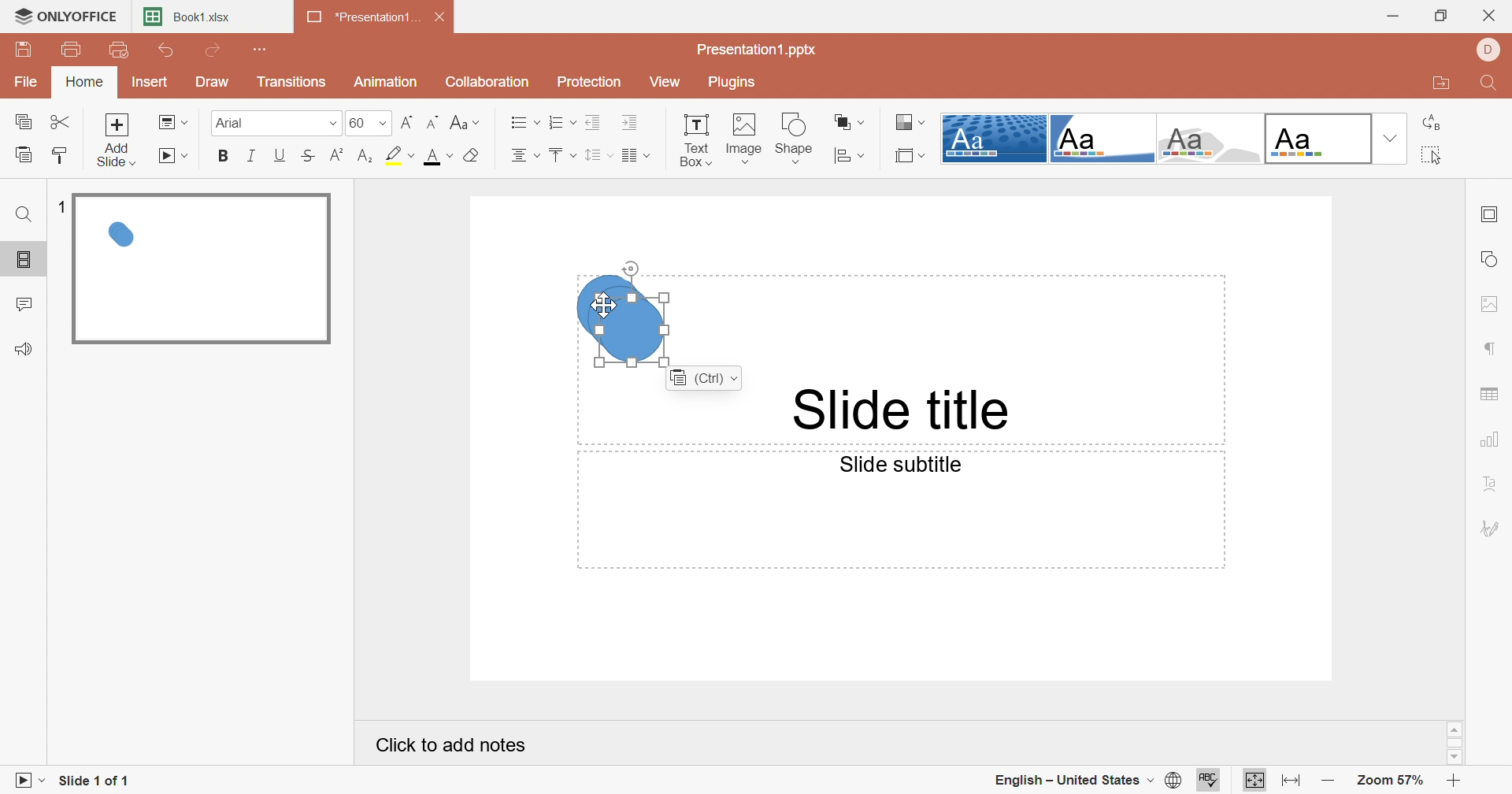 This screenshot has width=1512, height=794. Describe the element at coordinates (340, 155) in the screenshot. I see `Superscript` at that location.